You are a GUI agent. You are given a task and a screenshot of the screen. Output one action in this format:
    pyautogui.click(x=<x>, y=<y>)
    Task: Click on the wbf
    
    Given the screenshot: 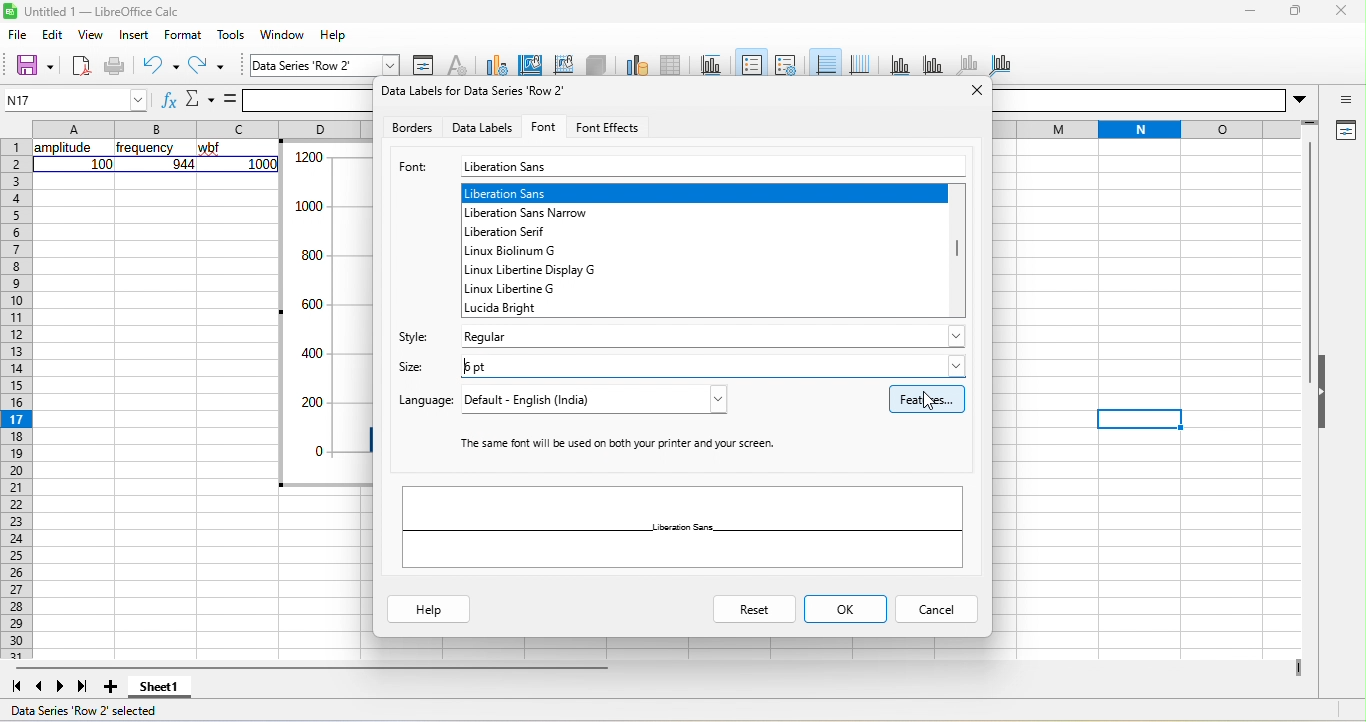 What is the action you would take?
    pyautogui.click(x=214, y=149)
    